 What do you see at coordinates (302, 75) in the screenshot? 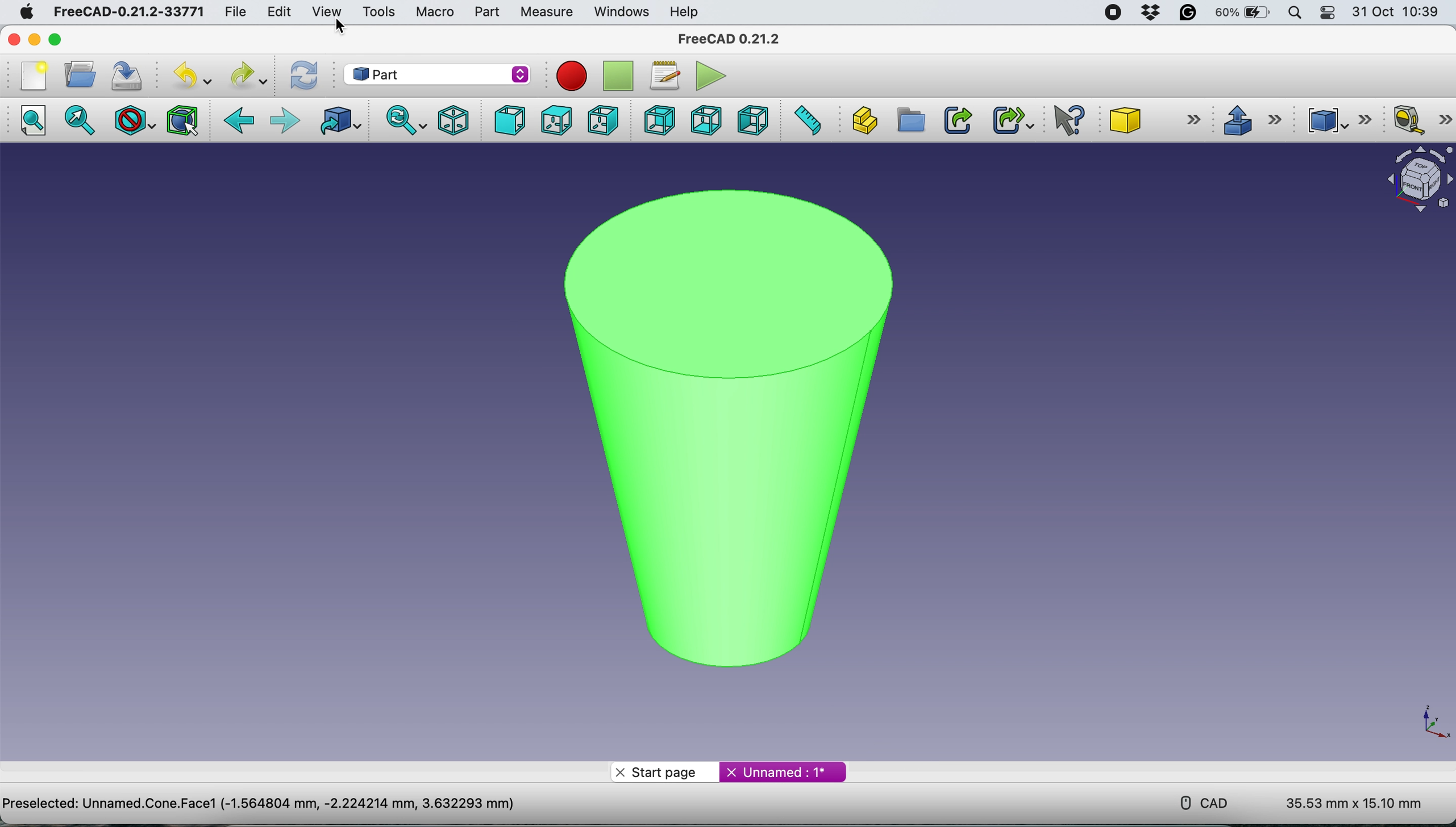
I see `refresh` at bounding box center [302, 75].